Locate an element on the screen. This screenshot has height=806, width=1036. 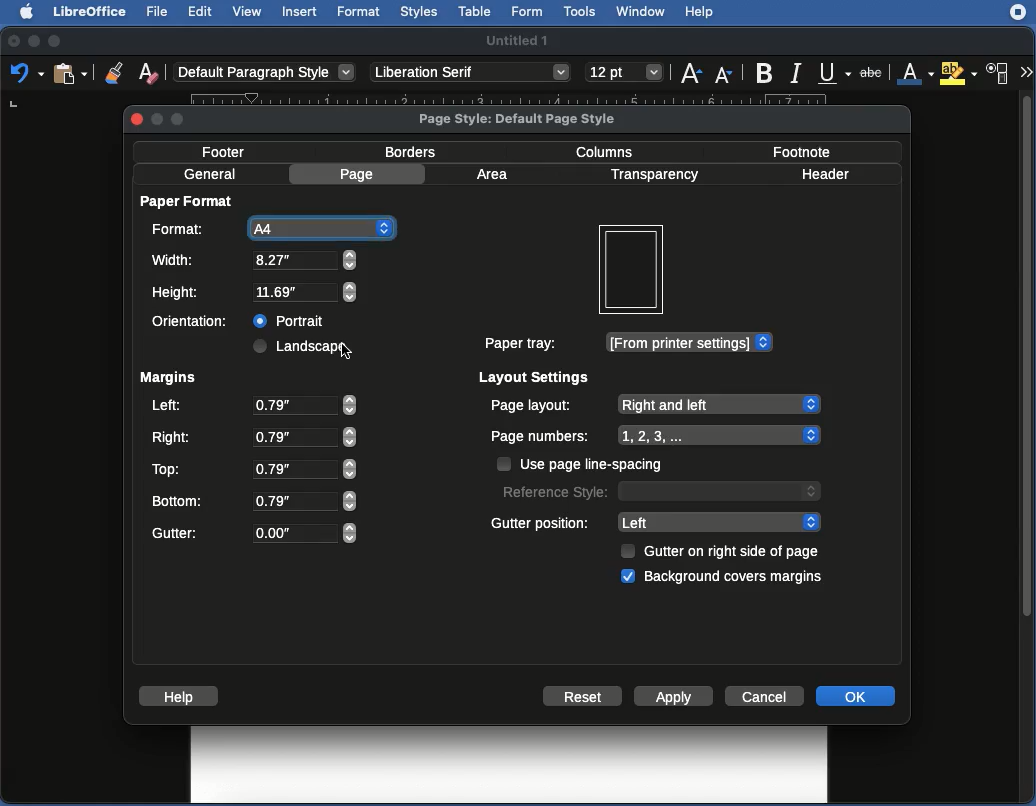
Bold is located at coordinates (765, 72).